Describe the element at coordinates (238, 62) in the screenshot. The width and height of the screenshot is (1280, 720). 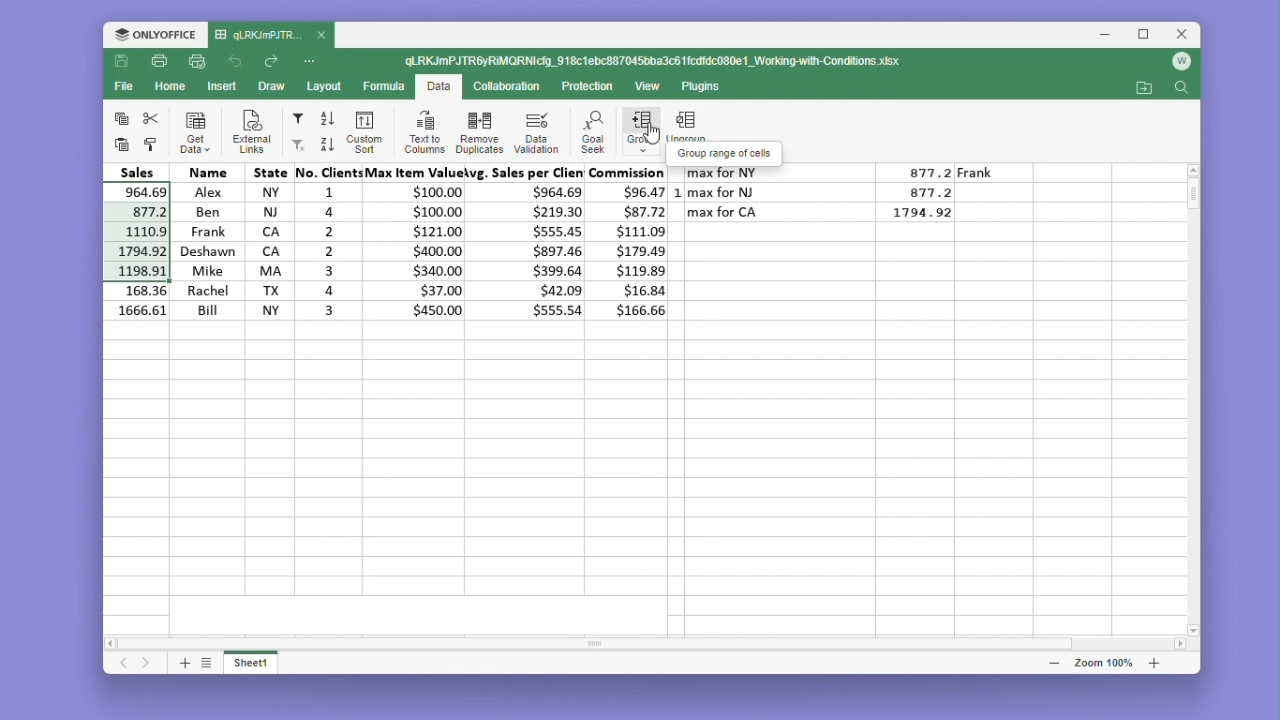
I see `Go back ` at that location.